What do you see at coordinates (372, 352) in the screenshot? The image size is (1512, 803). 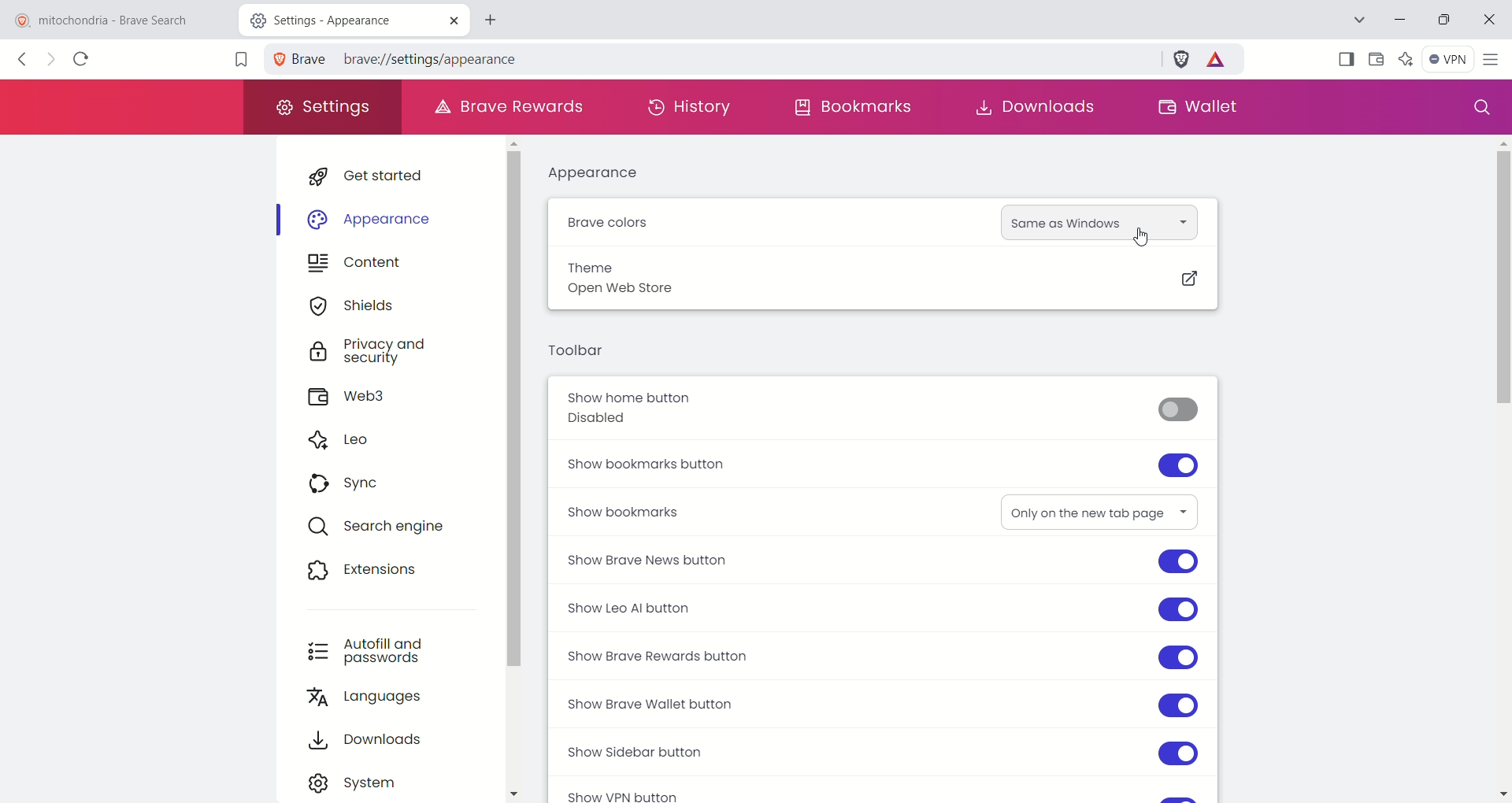 I see `privacy and security` at bounding box center [372, 352].